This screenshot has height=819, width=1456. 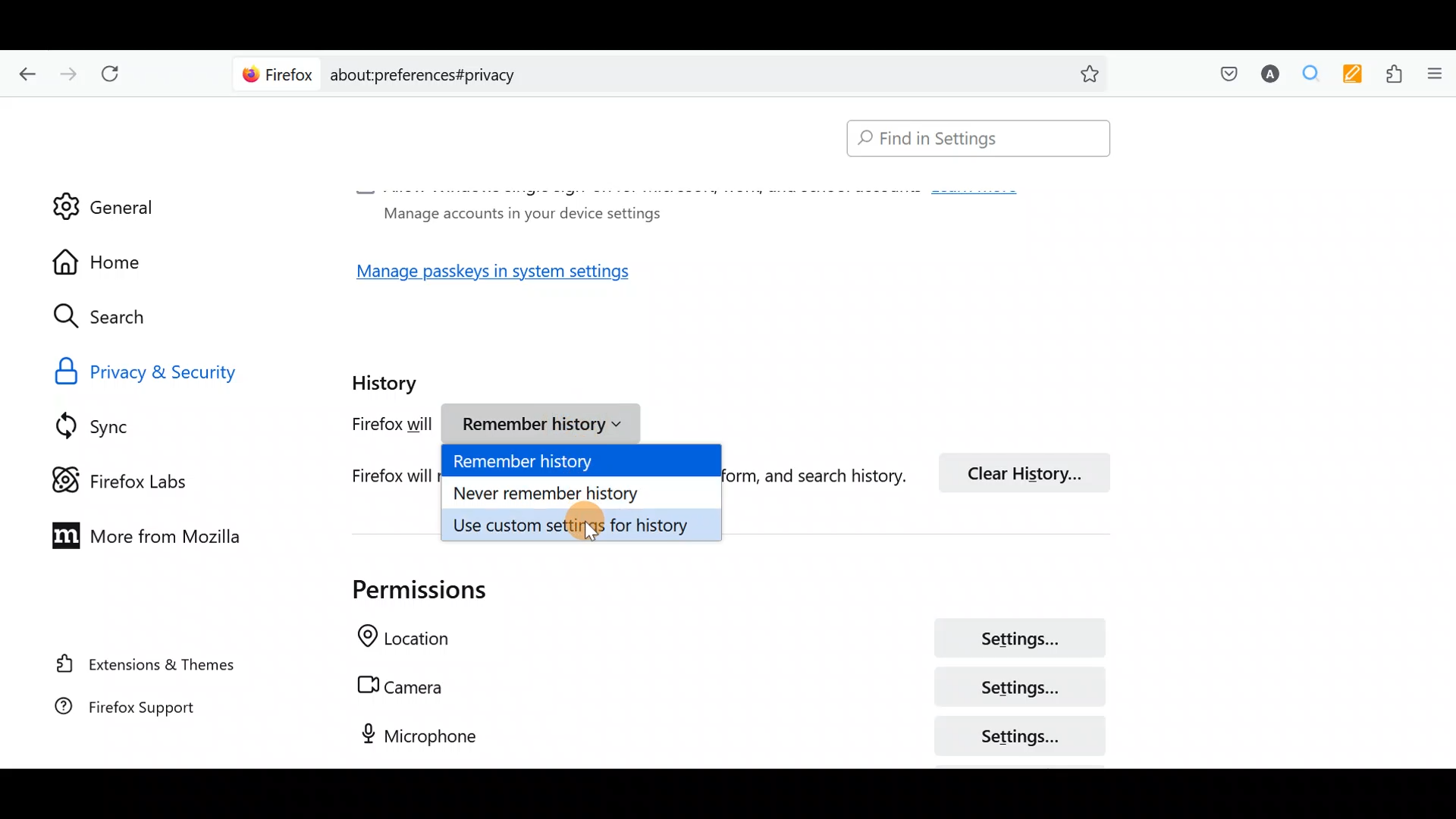 What do you see at coordinates (184, 370) in the screenshot?
I see `Privacy & security` at bounding box center [184, 370].